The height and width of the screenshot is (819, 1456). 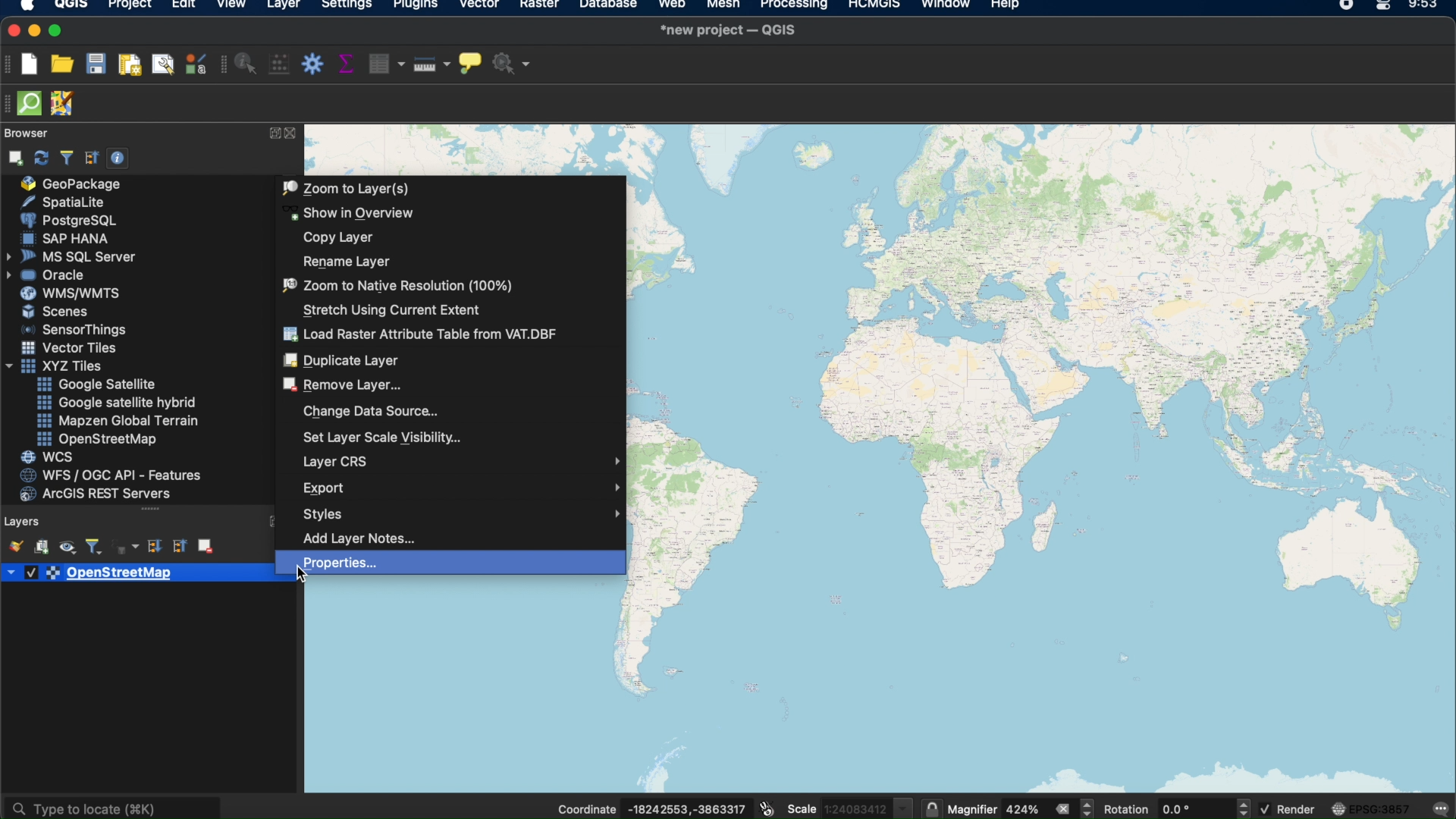 I want to click on layer crs, so click(x=461, y=462).